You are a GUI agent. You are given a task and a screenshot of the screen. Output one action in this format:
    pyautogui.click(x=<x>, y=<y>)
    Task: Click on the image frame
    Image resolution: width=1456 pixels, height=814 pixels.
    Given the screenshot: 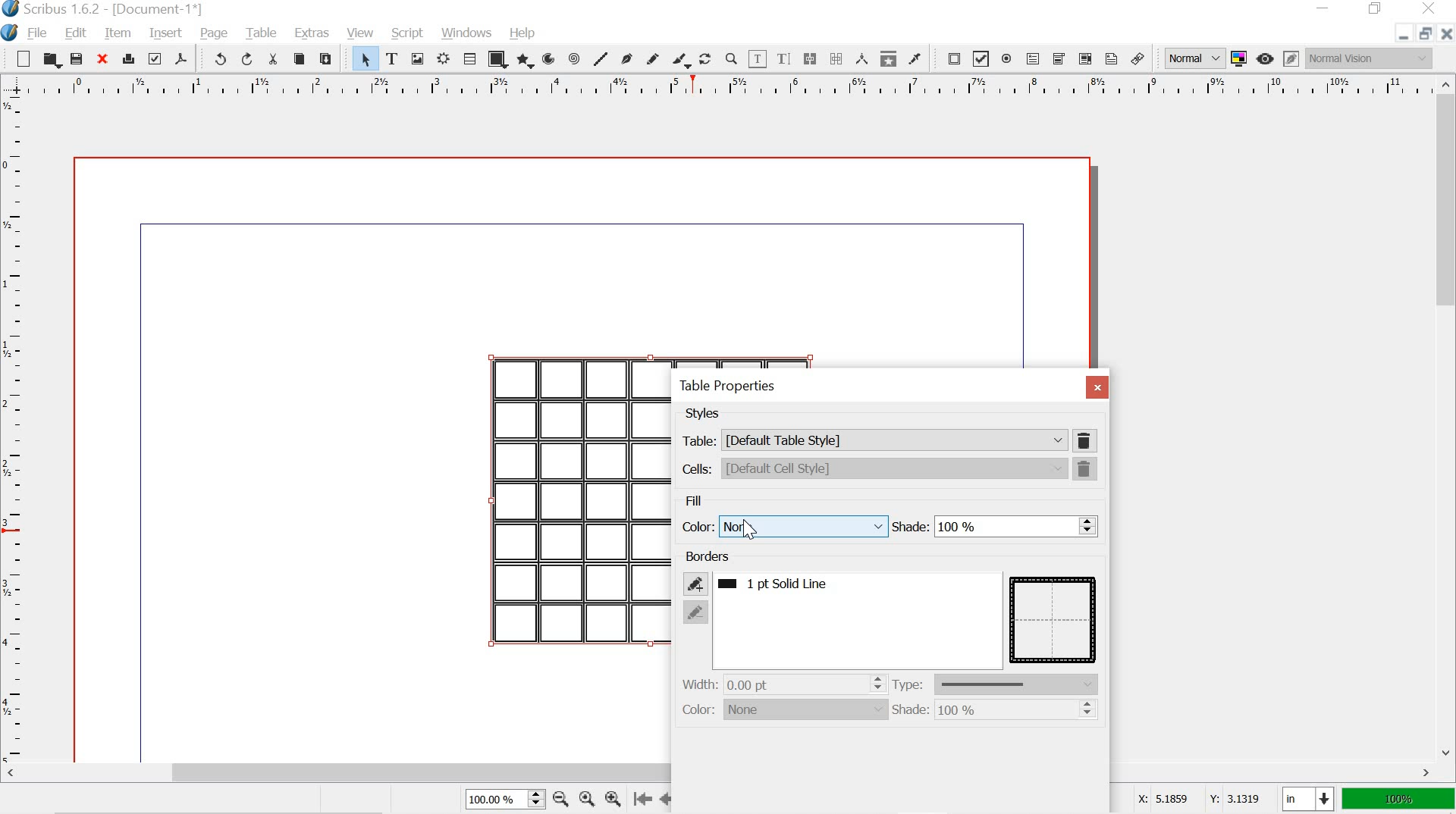 What is the action you would take?
    pyautogui.click(x=417, y=58)
    